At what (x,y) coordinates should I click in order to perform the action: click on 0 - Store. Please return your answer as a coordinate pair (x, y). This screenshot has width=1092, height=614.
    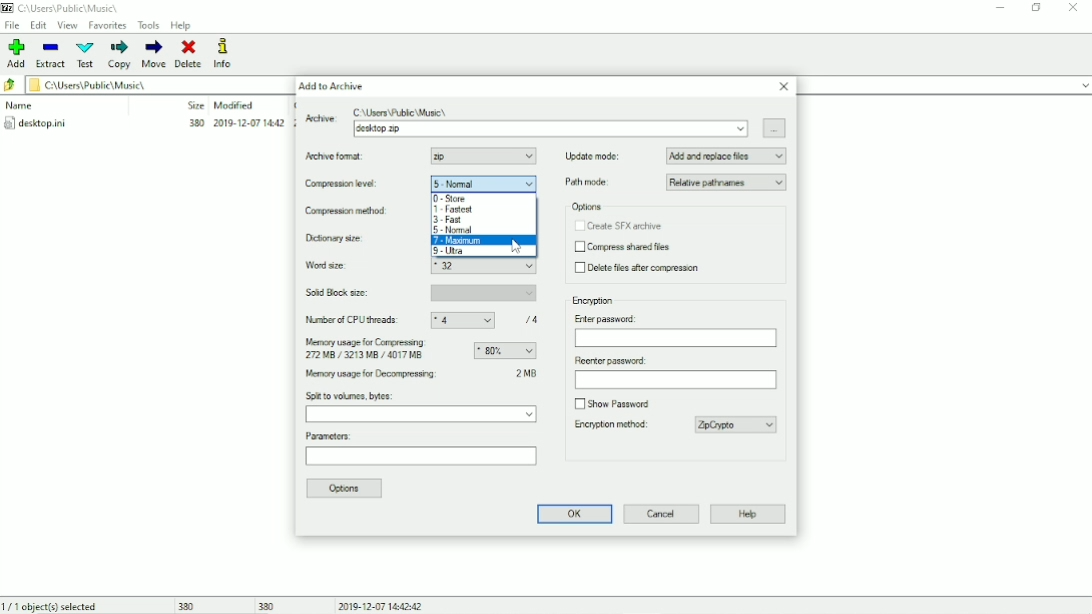
    Looking at the image, I should click on (451, 198).